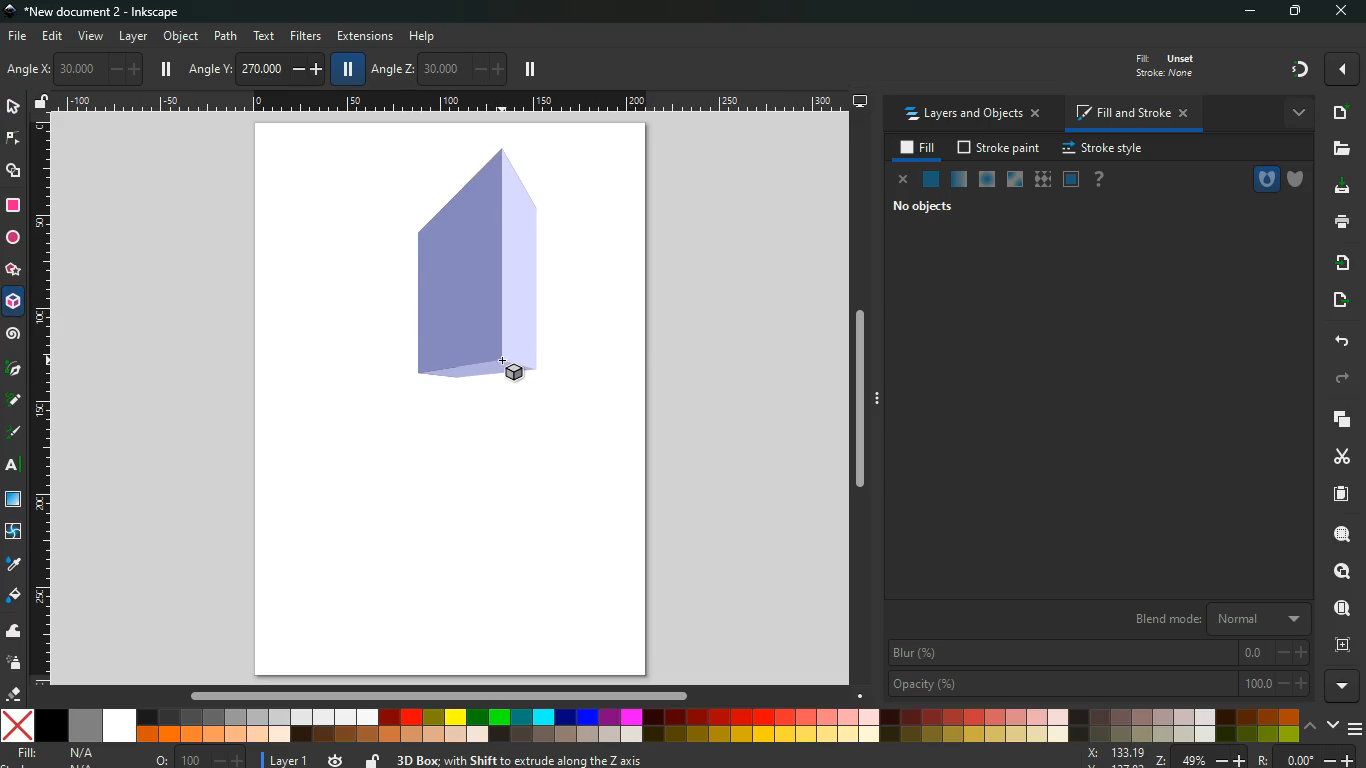  Describe the element at coordinates (1097, 682) in the screenshot. I see `opacity` at that location.